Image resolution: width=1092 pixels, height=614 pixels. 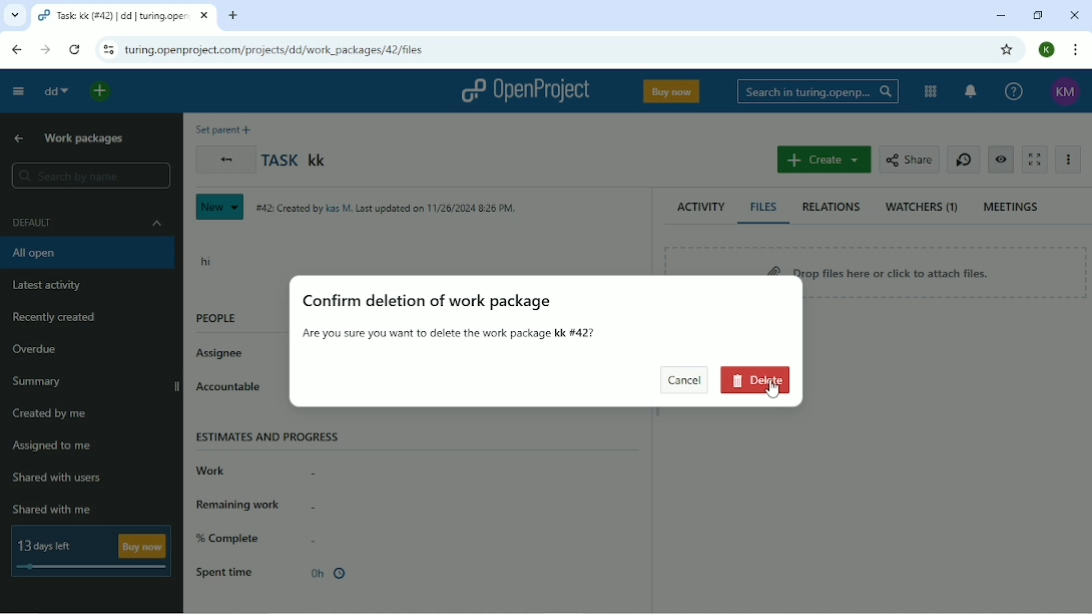 What do you see at coordinates (454, 334) in the screenshot?
I see `Are you sure you want to delete the work package kk #42?` at bounding box center [454, 334].